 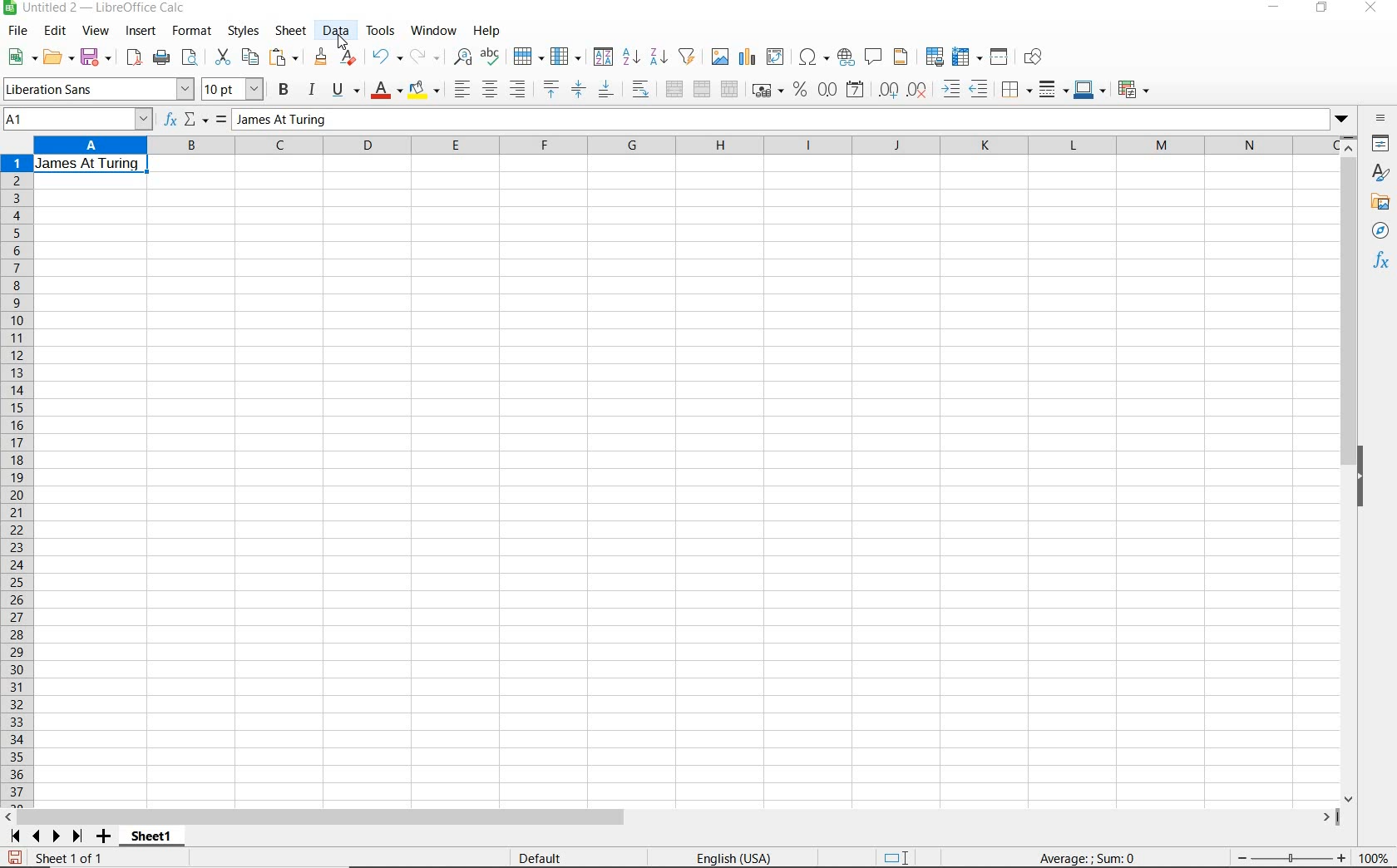 I want to click on save, so click(x=14, y=856).